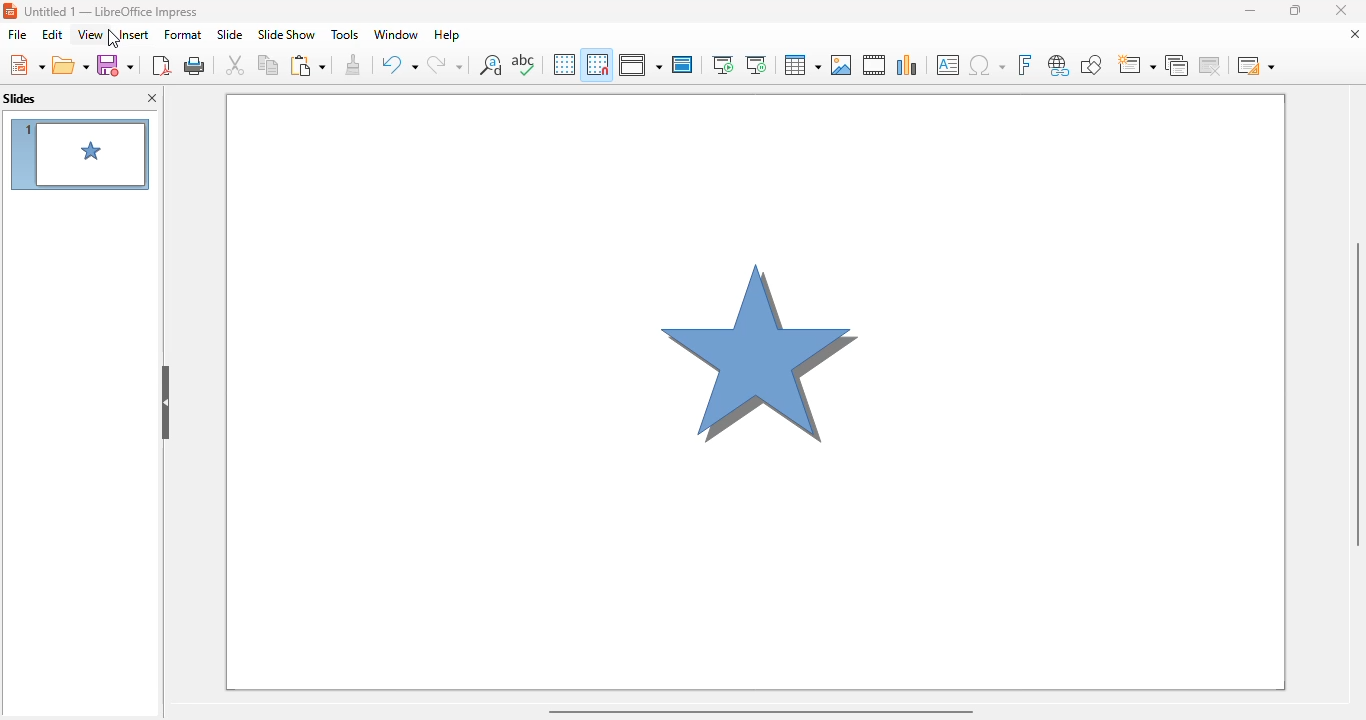  What do you see at coordinates (987, 65) in the screenshot?
I see `insert special characters` at bounding box center [987, 65].